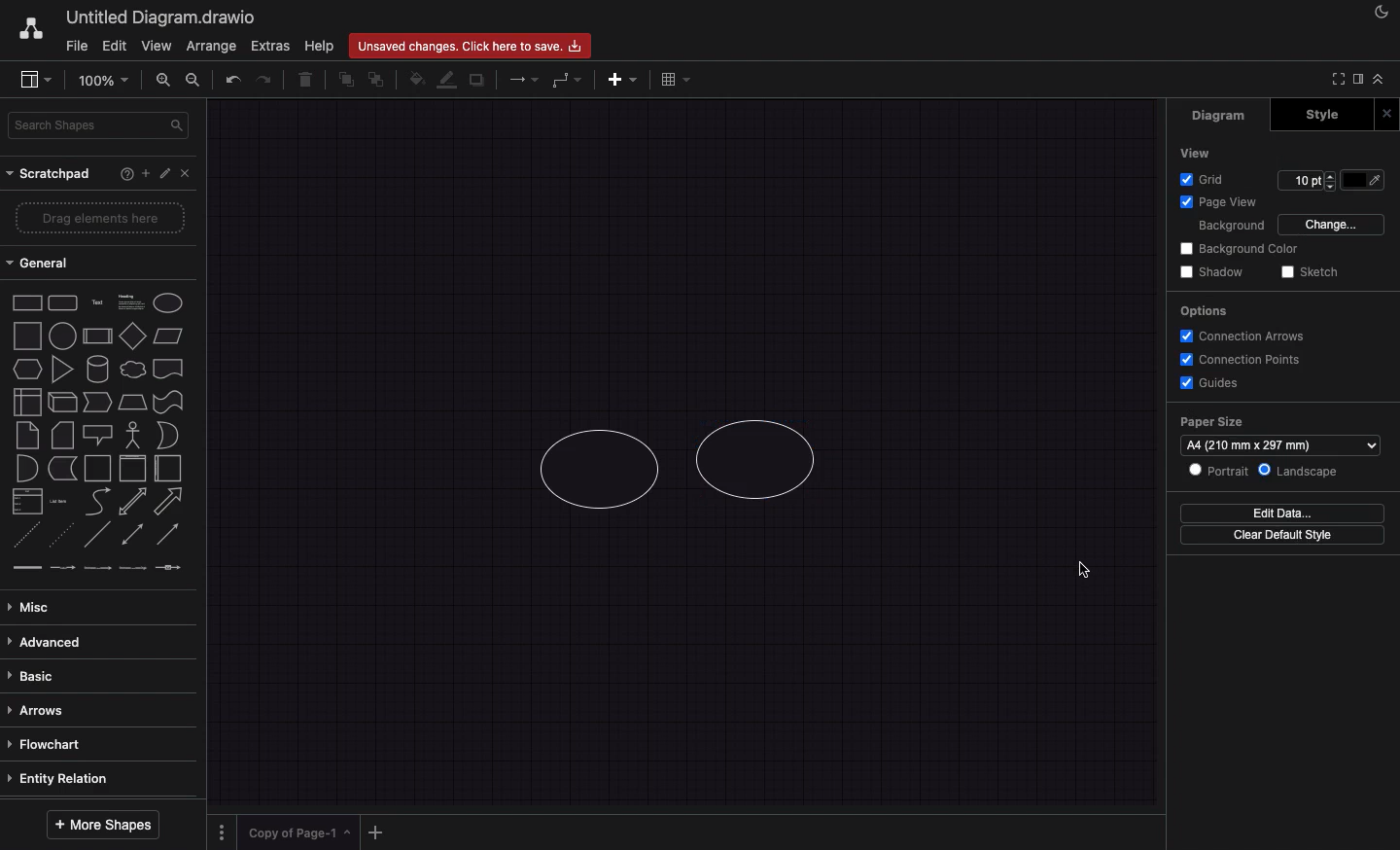 The width and height of the screenshot is (1400, 850). Describe the element at coordinates (99, 127) in the screenshot. I see `search shapes` at that location.